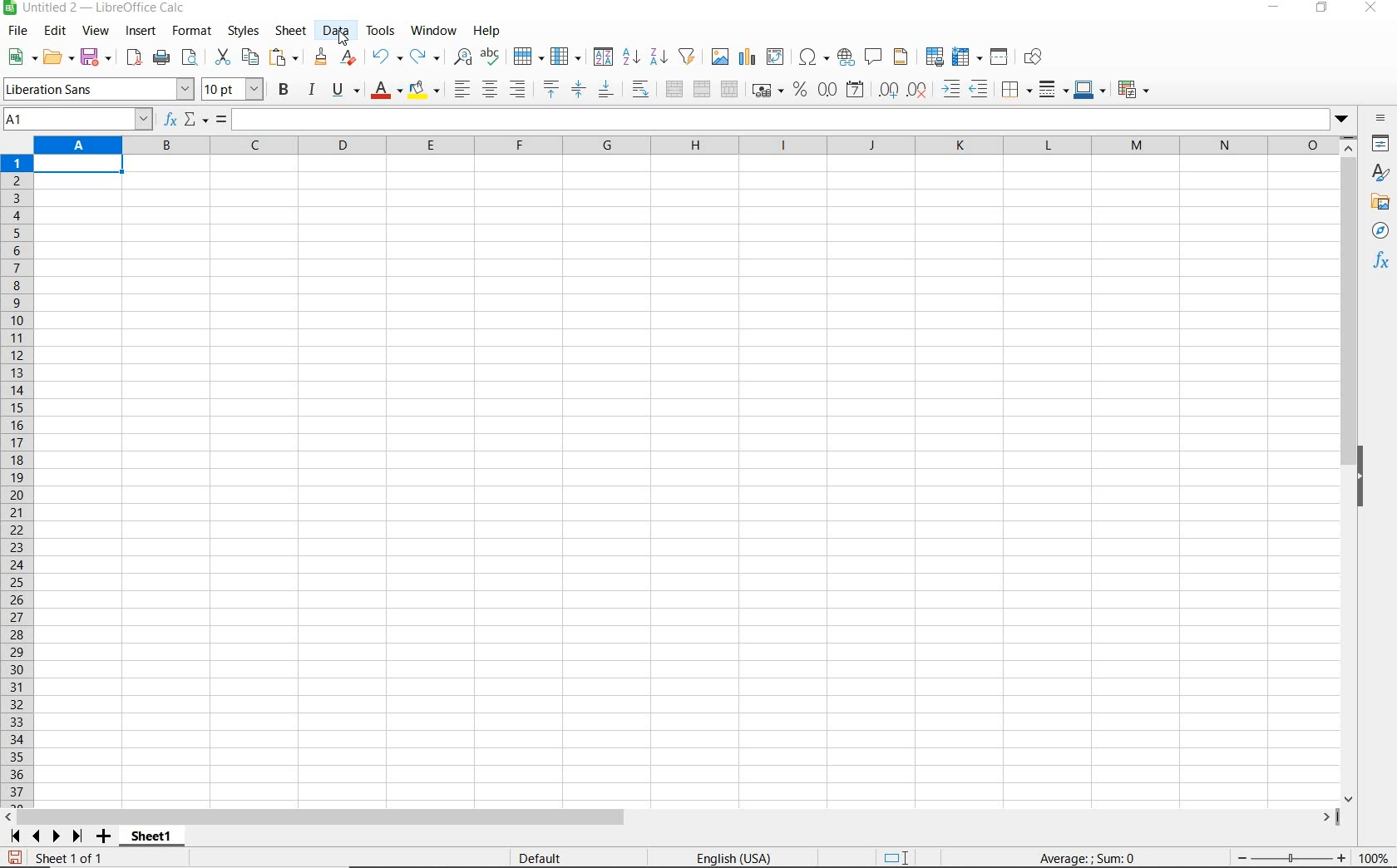 The width and height of the screenshot is (1397, 868). I want to click on format as percent, so click(800, 90).